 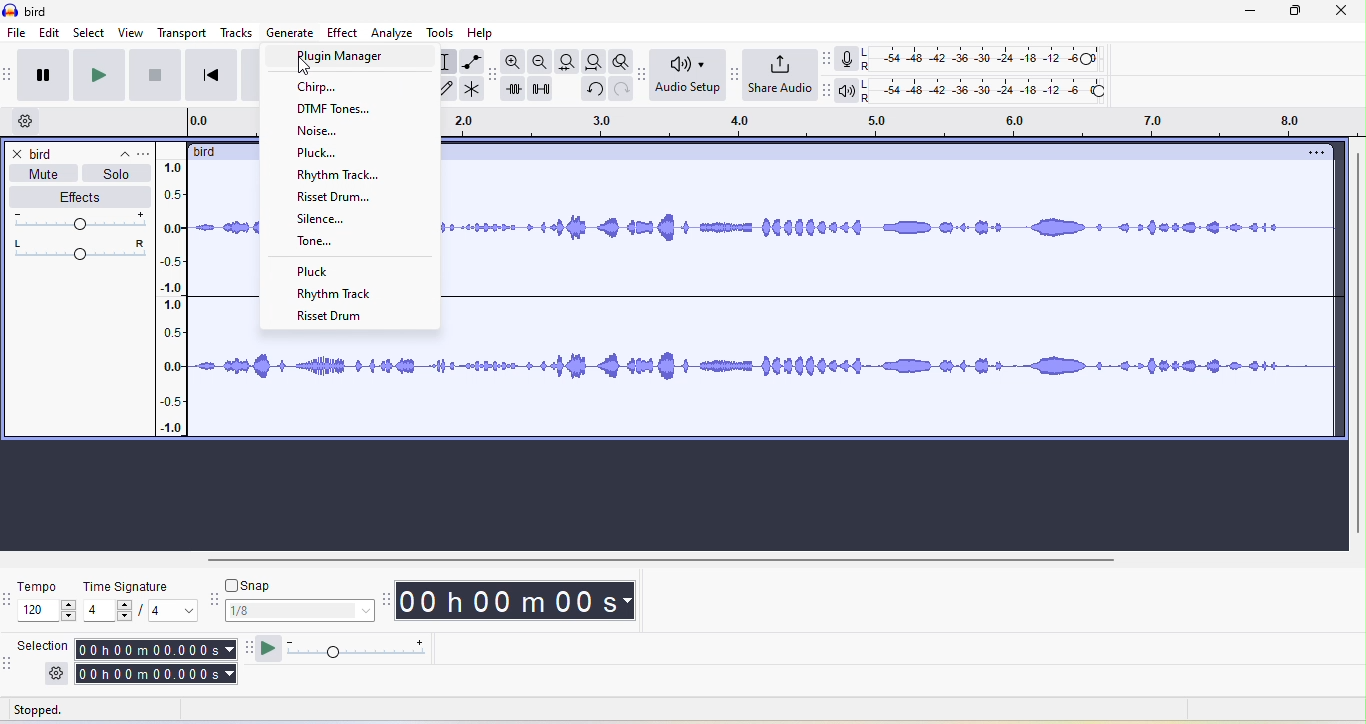 I want to click on tracks, so click(x=237, y=34).